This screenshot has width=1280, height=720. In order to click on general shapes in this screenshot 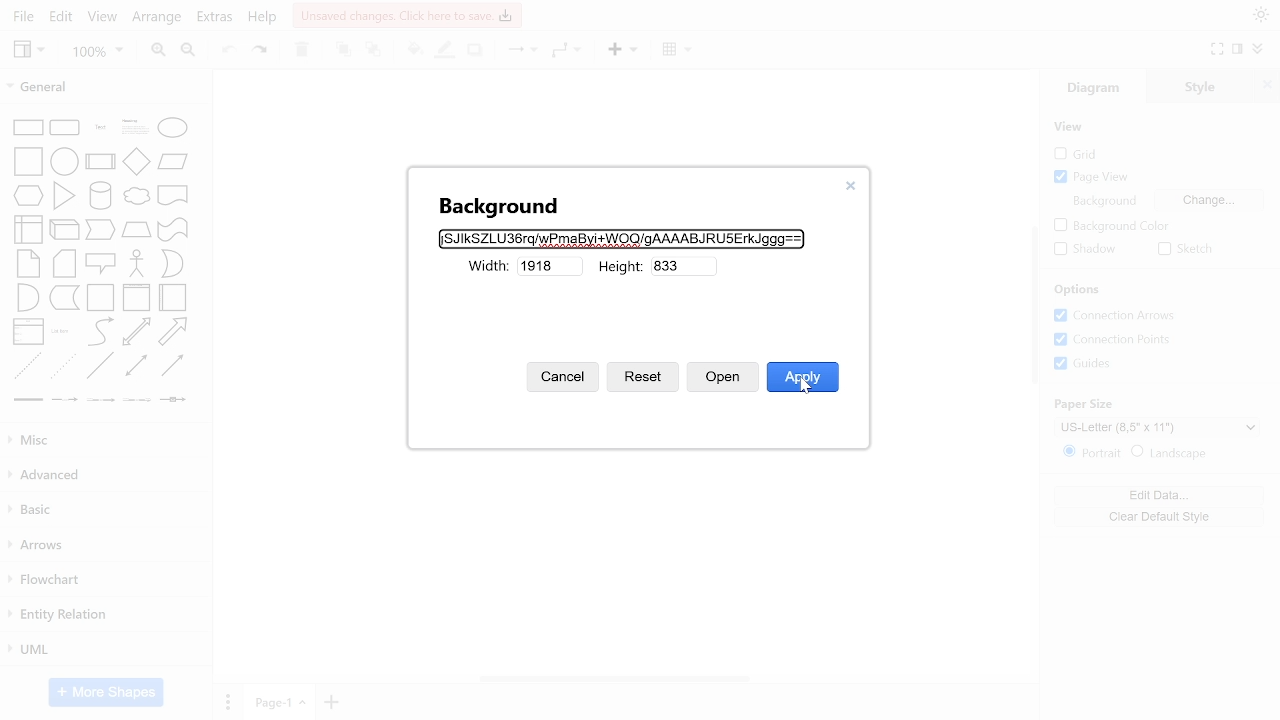, I will do `click(99, 229)`.